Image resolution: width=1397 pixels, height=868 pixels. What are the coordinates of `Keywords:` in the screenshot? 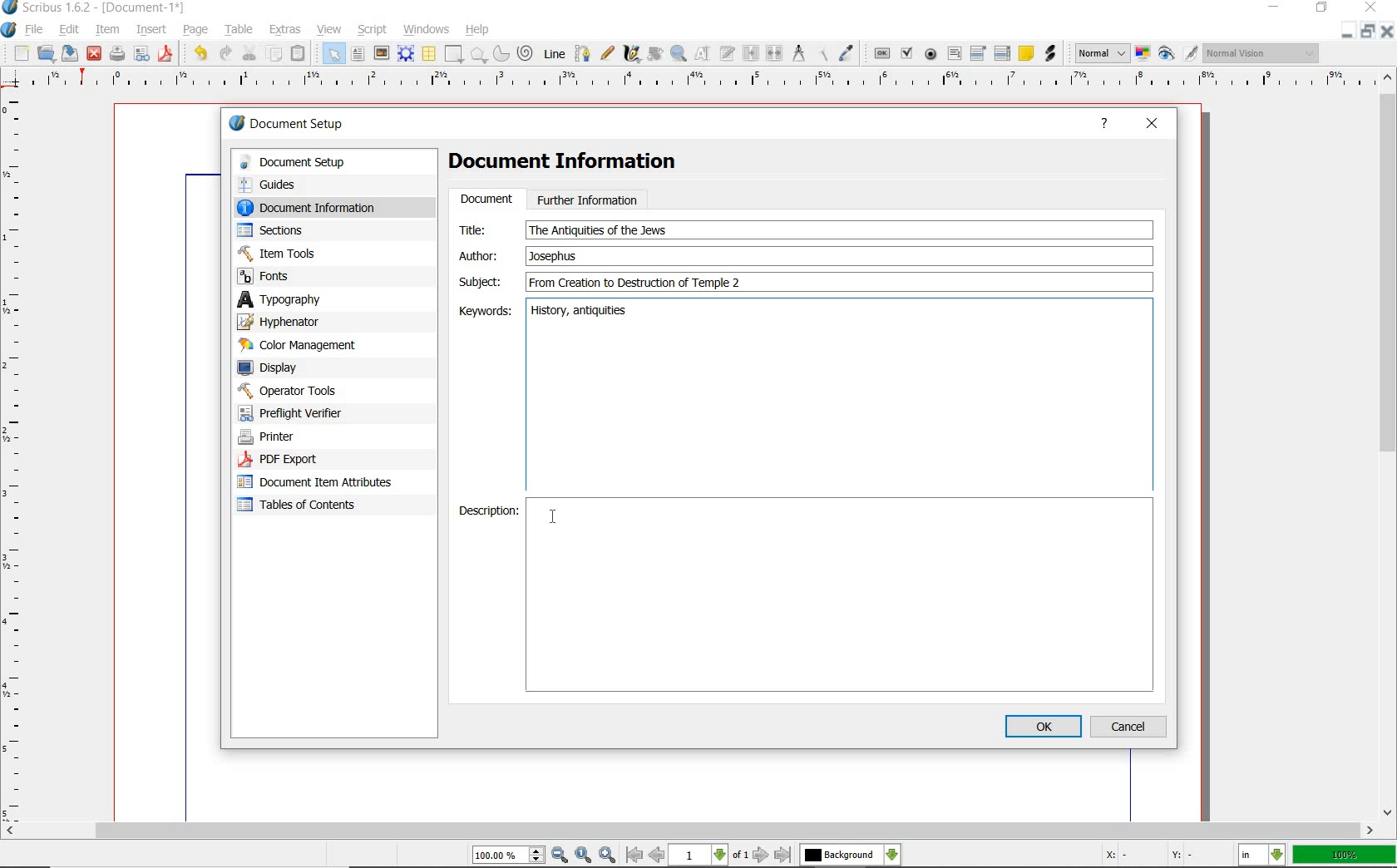 It's located at (483, 311).